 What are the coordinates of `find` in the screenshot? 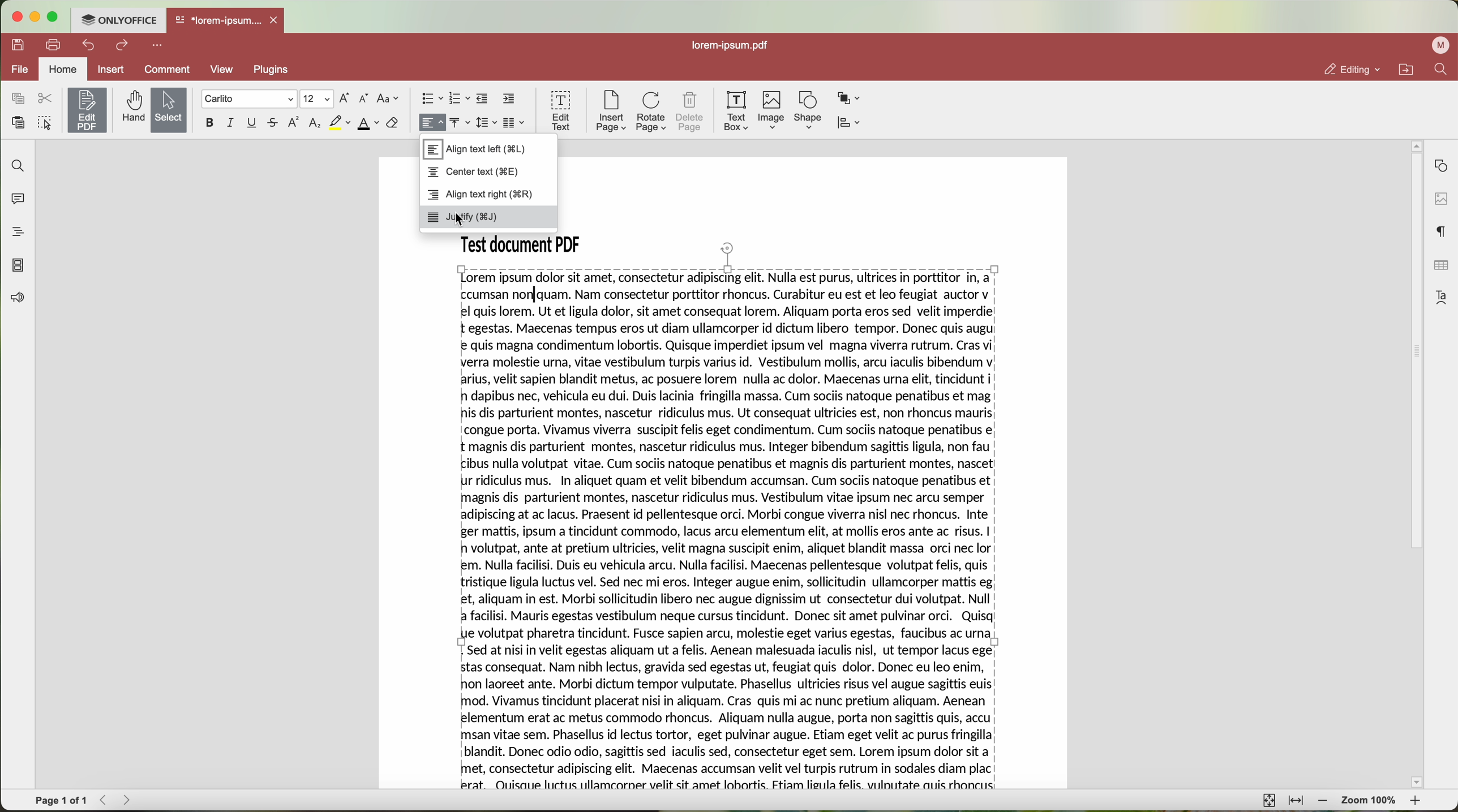 It's located at (18, 166).